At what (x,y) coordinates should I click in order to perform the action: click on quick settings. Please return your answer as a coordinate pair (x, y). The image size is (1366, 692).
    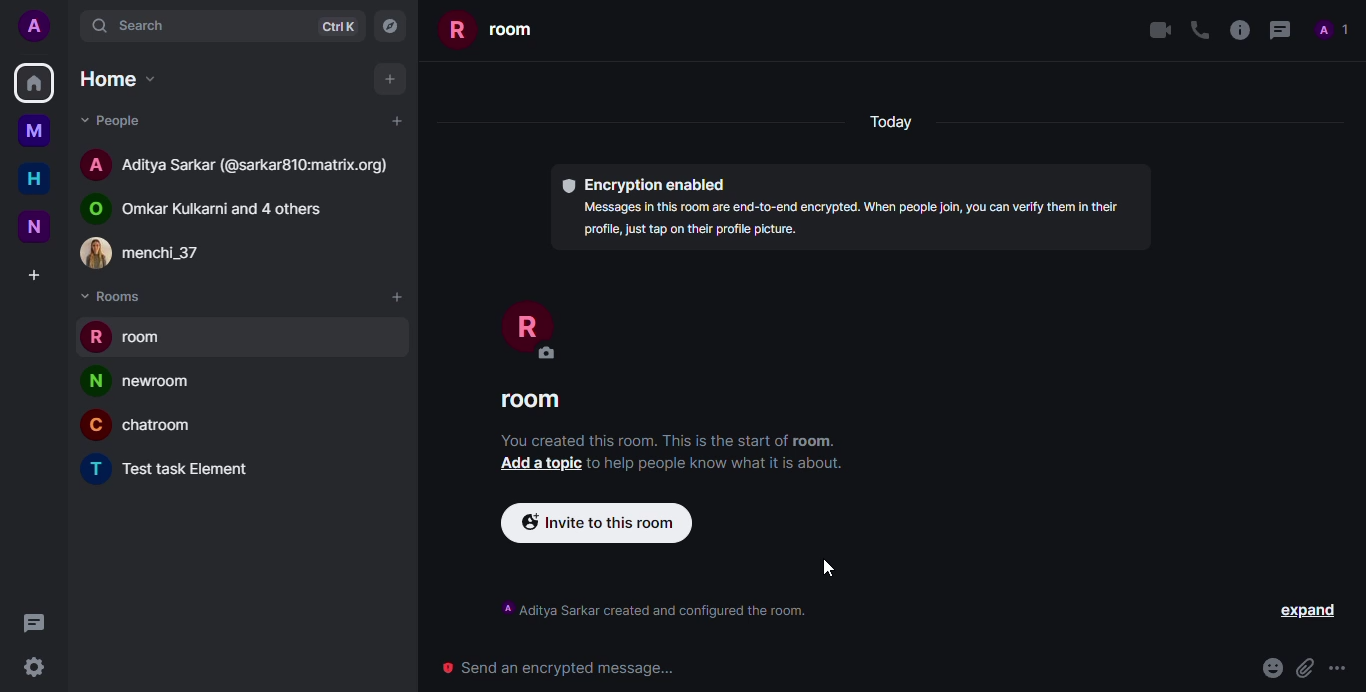
    Looking at the image, I should click on (36, 665).